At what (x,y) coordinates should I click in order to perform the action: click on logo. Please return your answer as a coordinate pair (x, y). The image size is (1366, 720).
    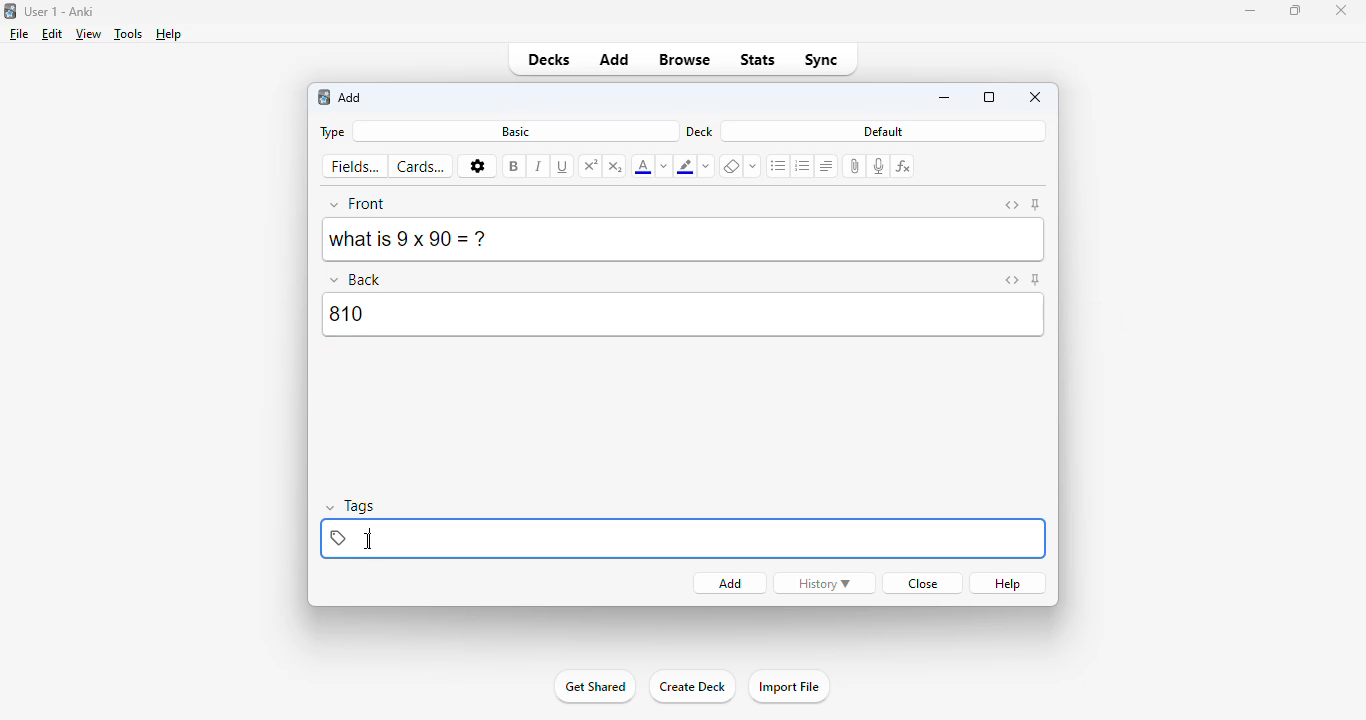
    Looking at the image, I should click on (9, 11).